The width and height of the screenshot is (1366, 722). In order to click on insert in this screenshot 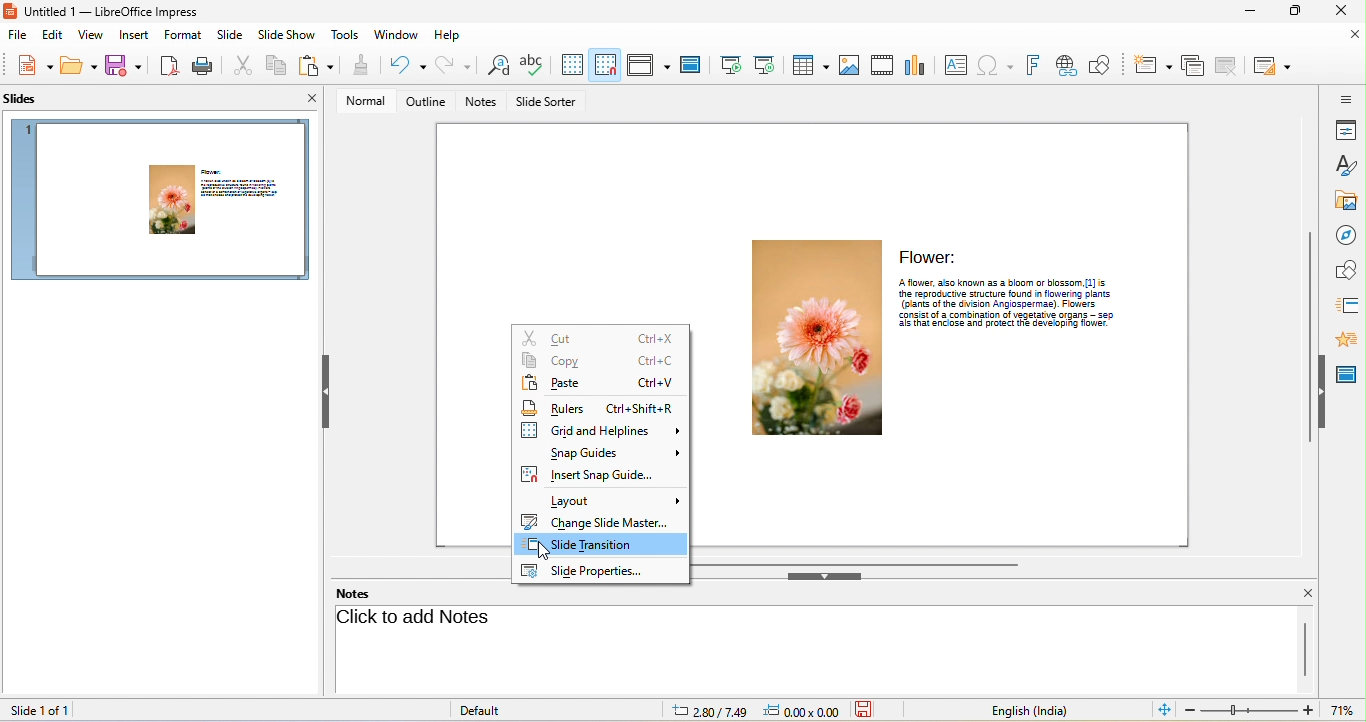, I will do `click(135, 35)`.